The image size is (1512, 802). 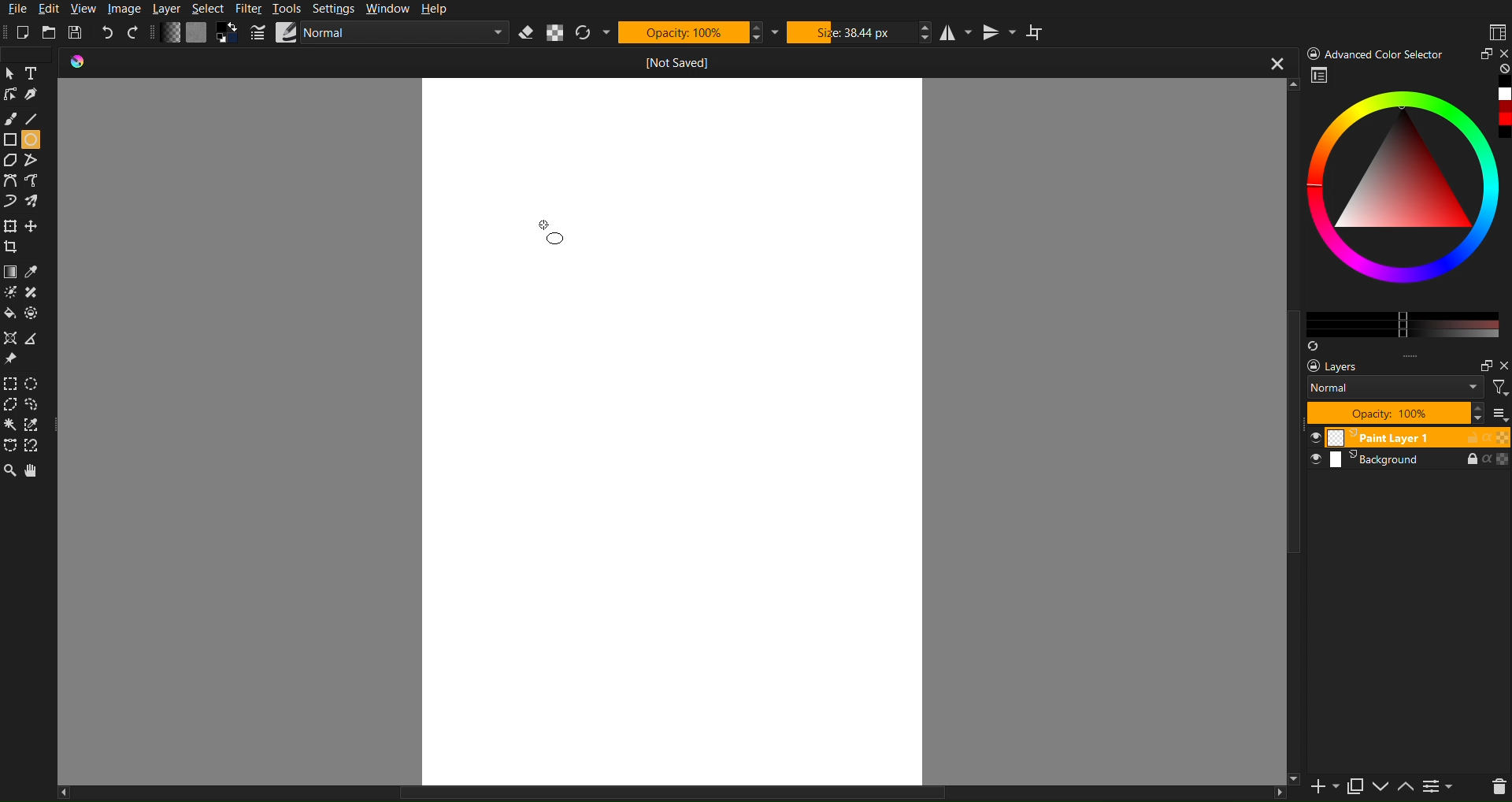 What do you see at coordinates (686, 33) in the screenshot?
I see `Opacity` at bounding box center [686, 33].